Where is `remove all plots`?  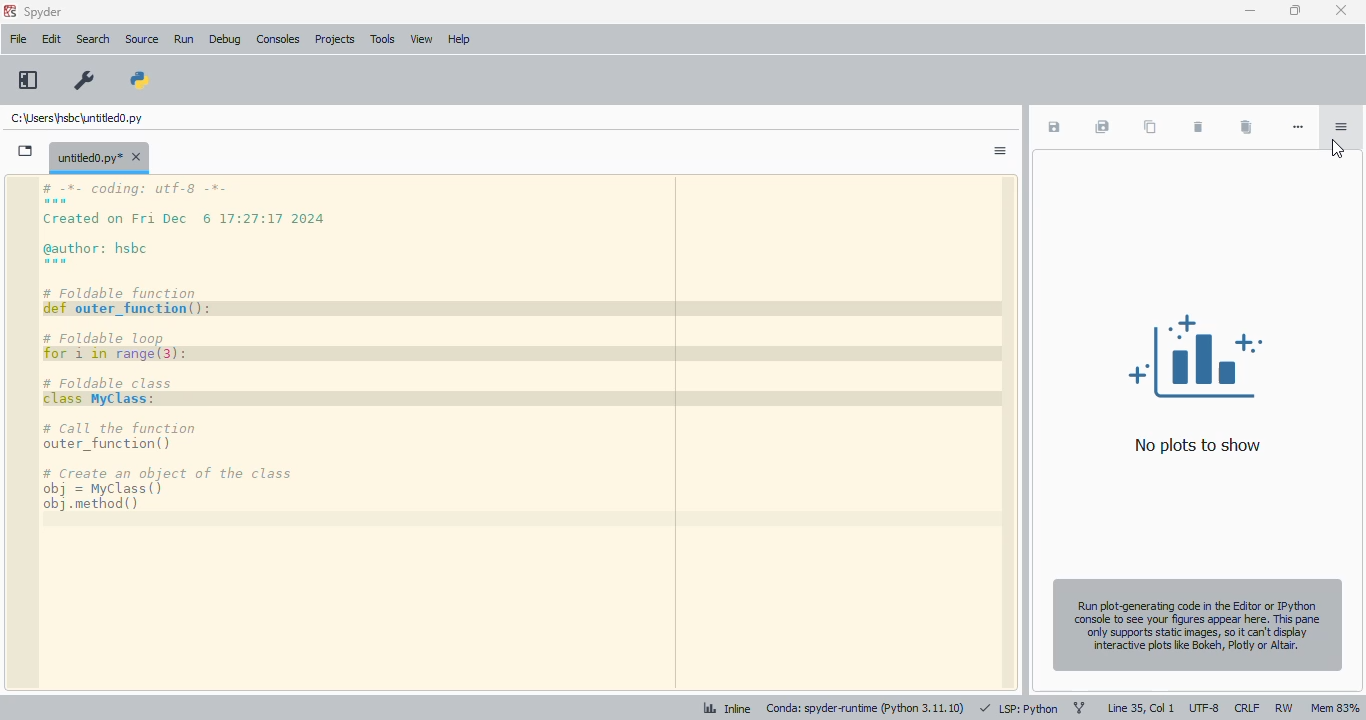 remove all plots is located at coordinates (1246, 128).